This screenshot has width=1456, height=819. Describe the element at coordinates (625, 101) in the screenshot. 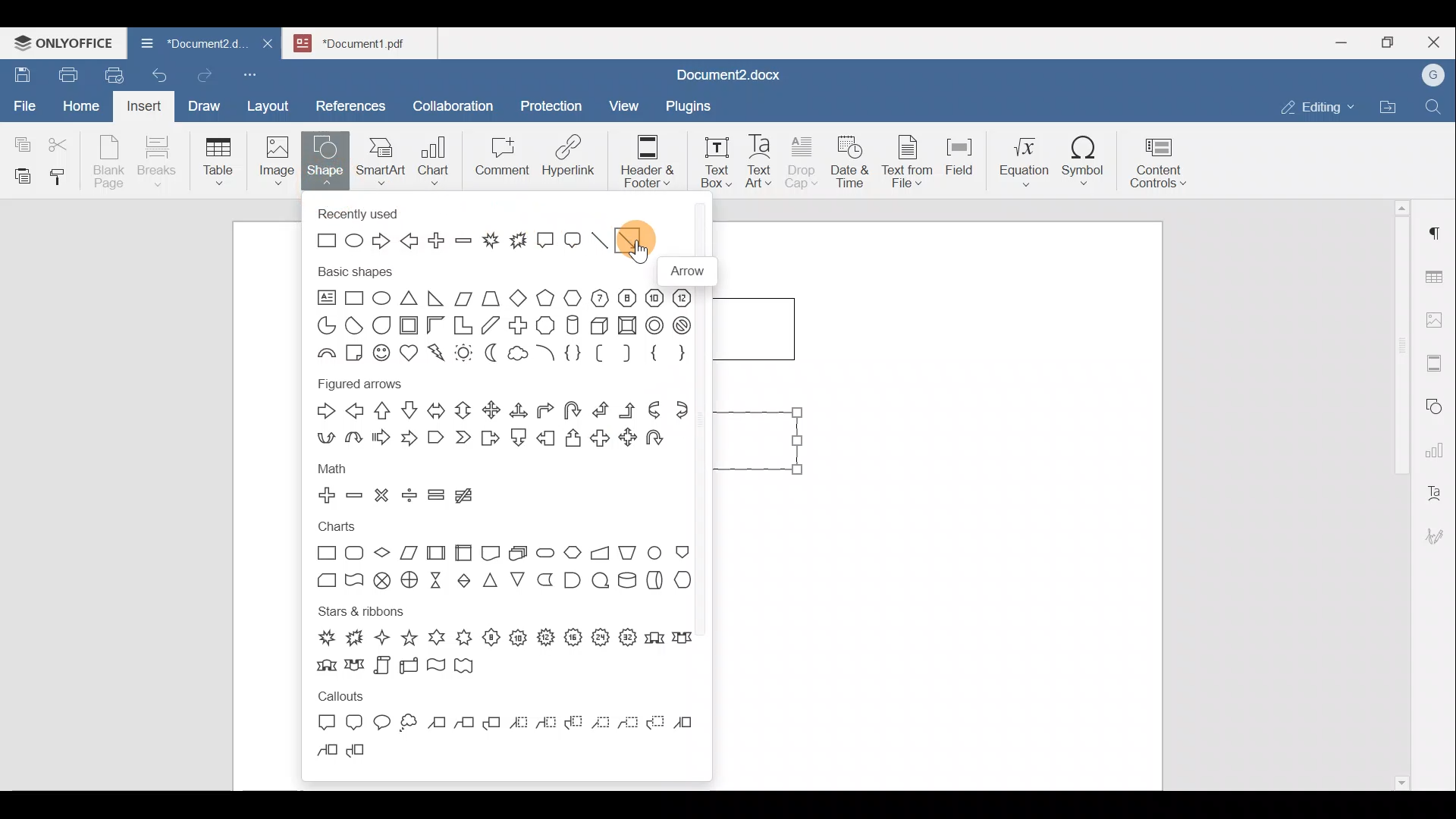

I see `View` at that location.